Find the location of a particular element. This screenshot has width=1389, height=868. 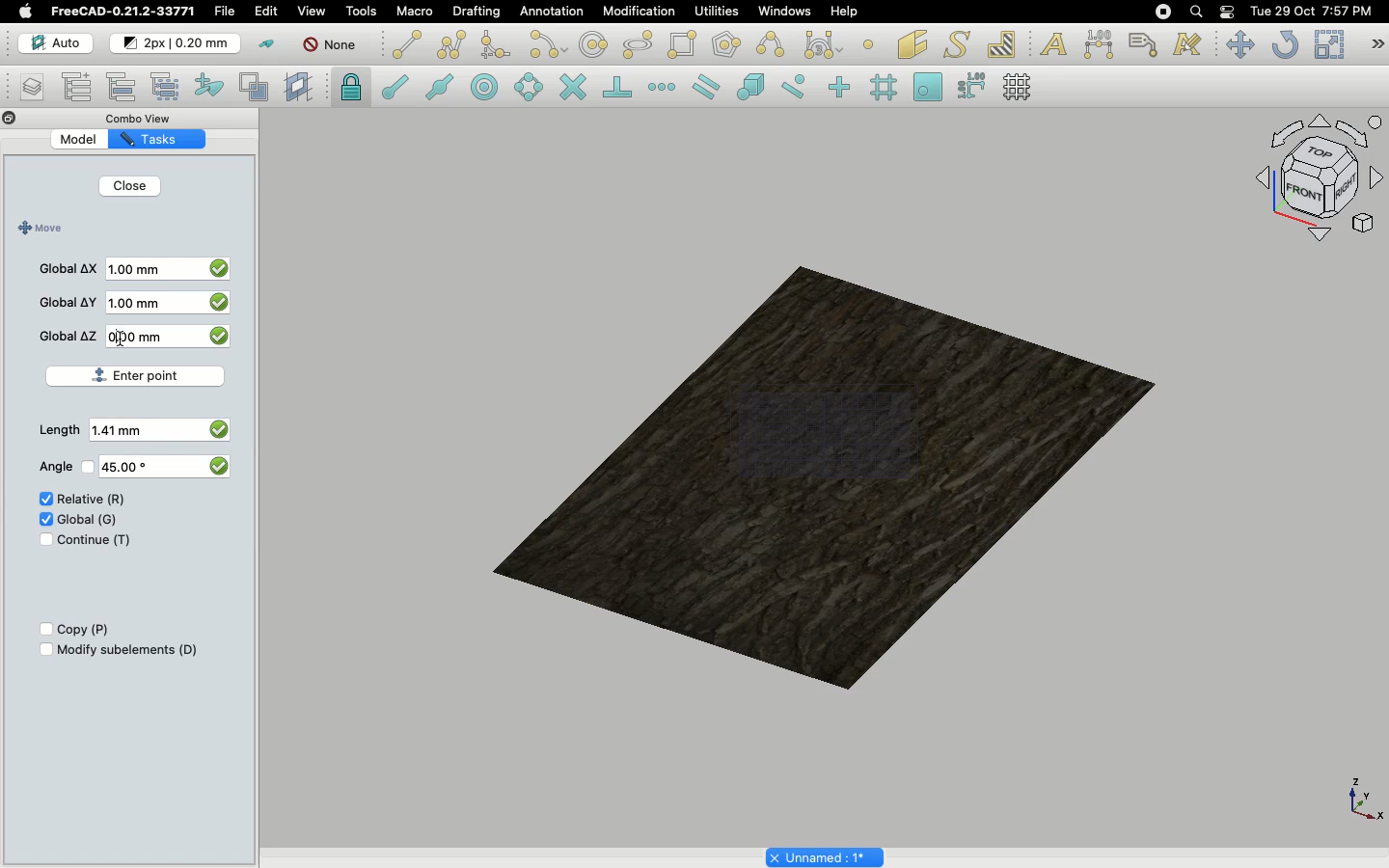

Add to construction group is located at coordinates (210, 84).